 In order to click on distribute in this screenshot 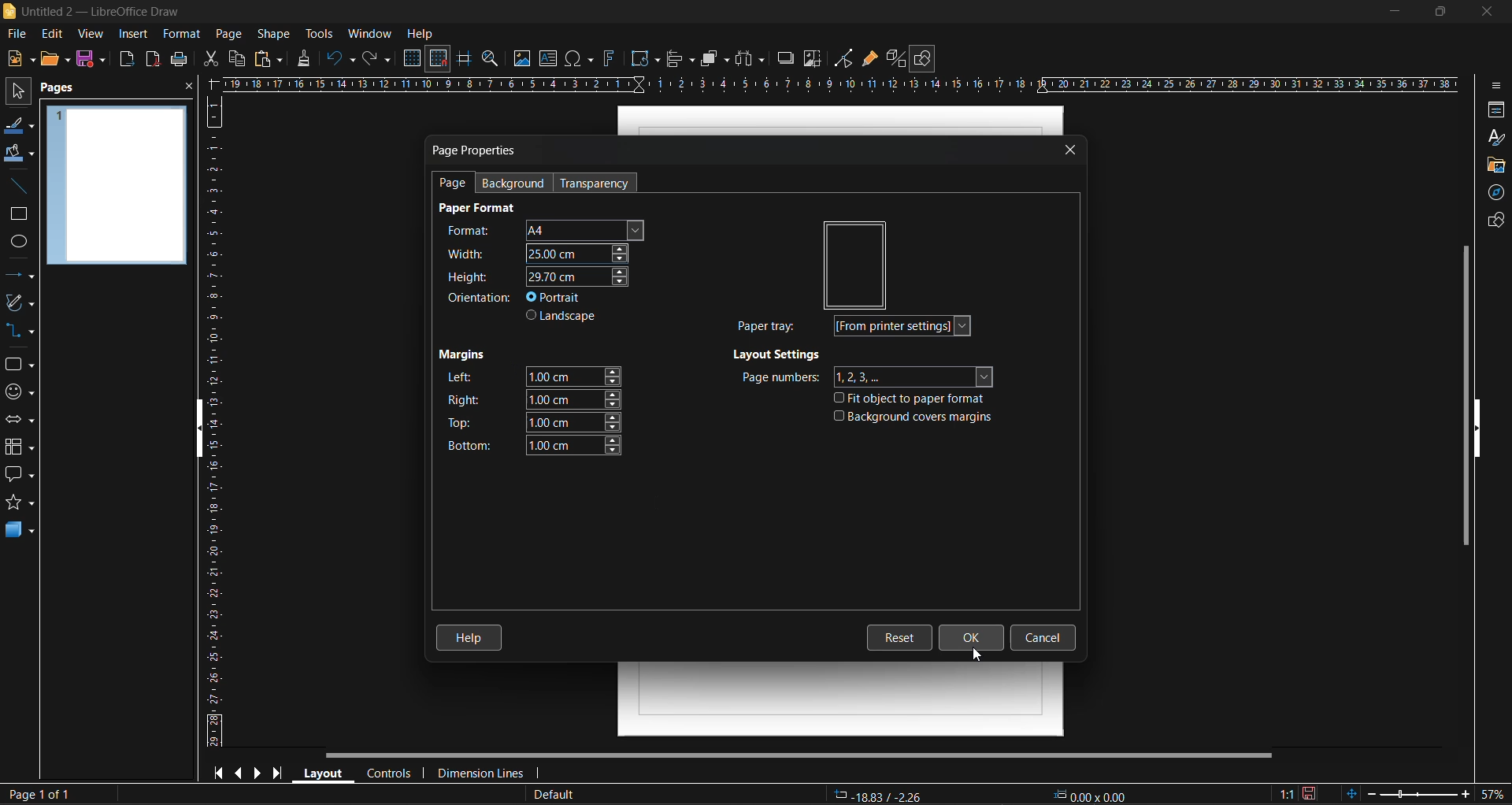, I will do `click(752, 60)`.